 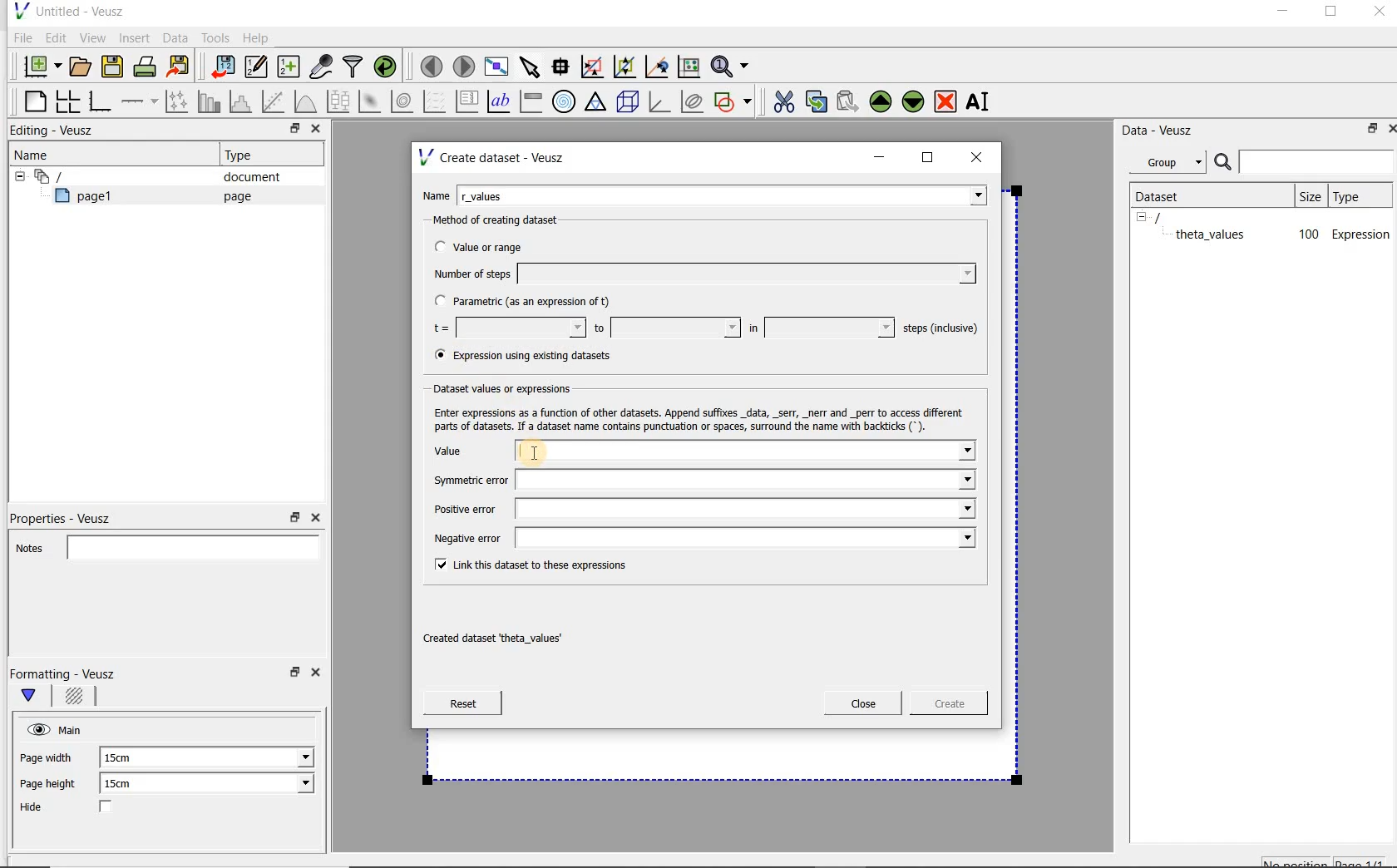 I want to click on Value, so click(x=701, y=451).